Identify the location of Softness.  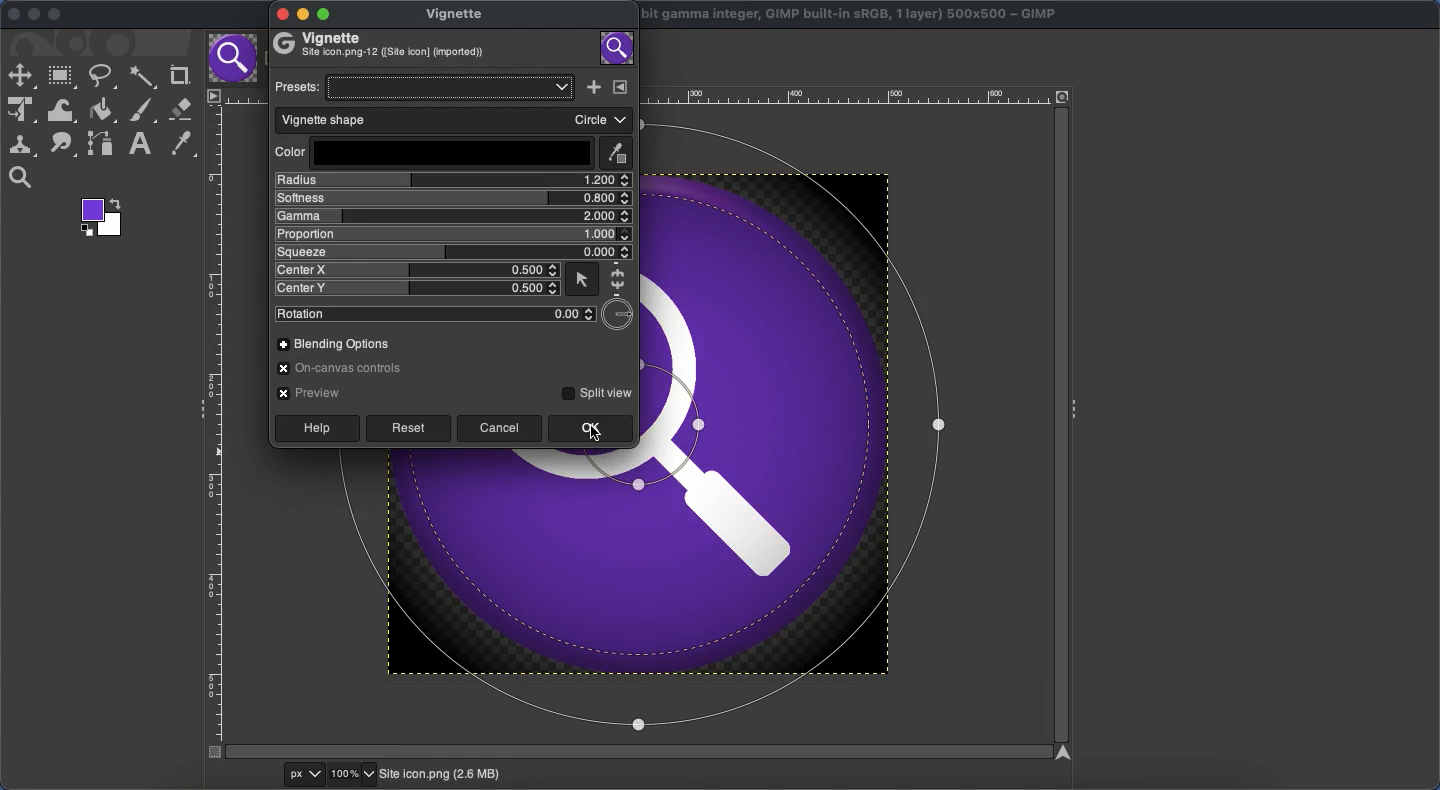
(453, 199).